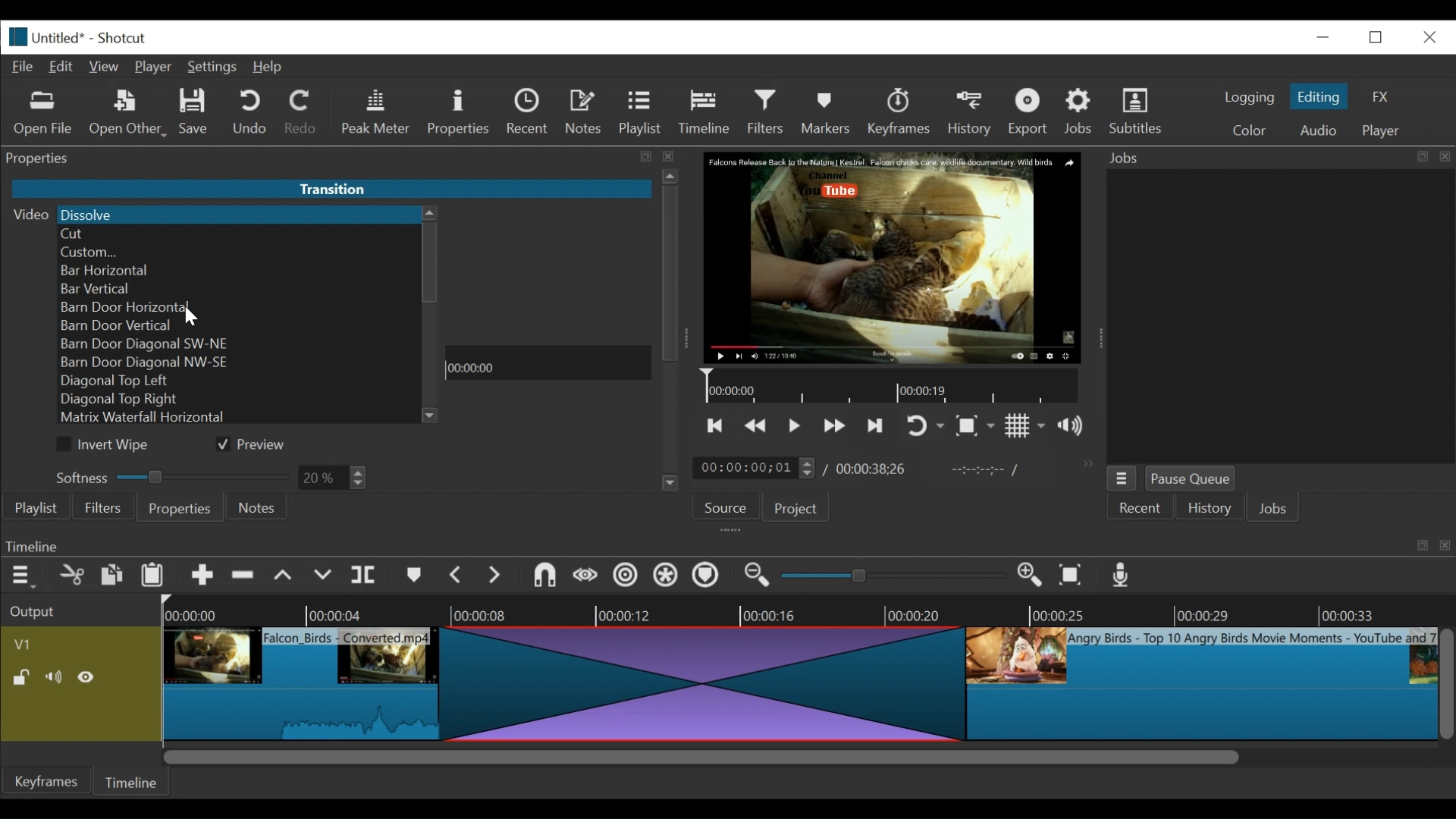 The image size is (1456, 819). What do you see at coordinates (215, 69) in the screenshot?
I see `Settings` at bounding box center [215, 69].